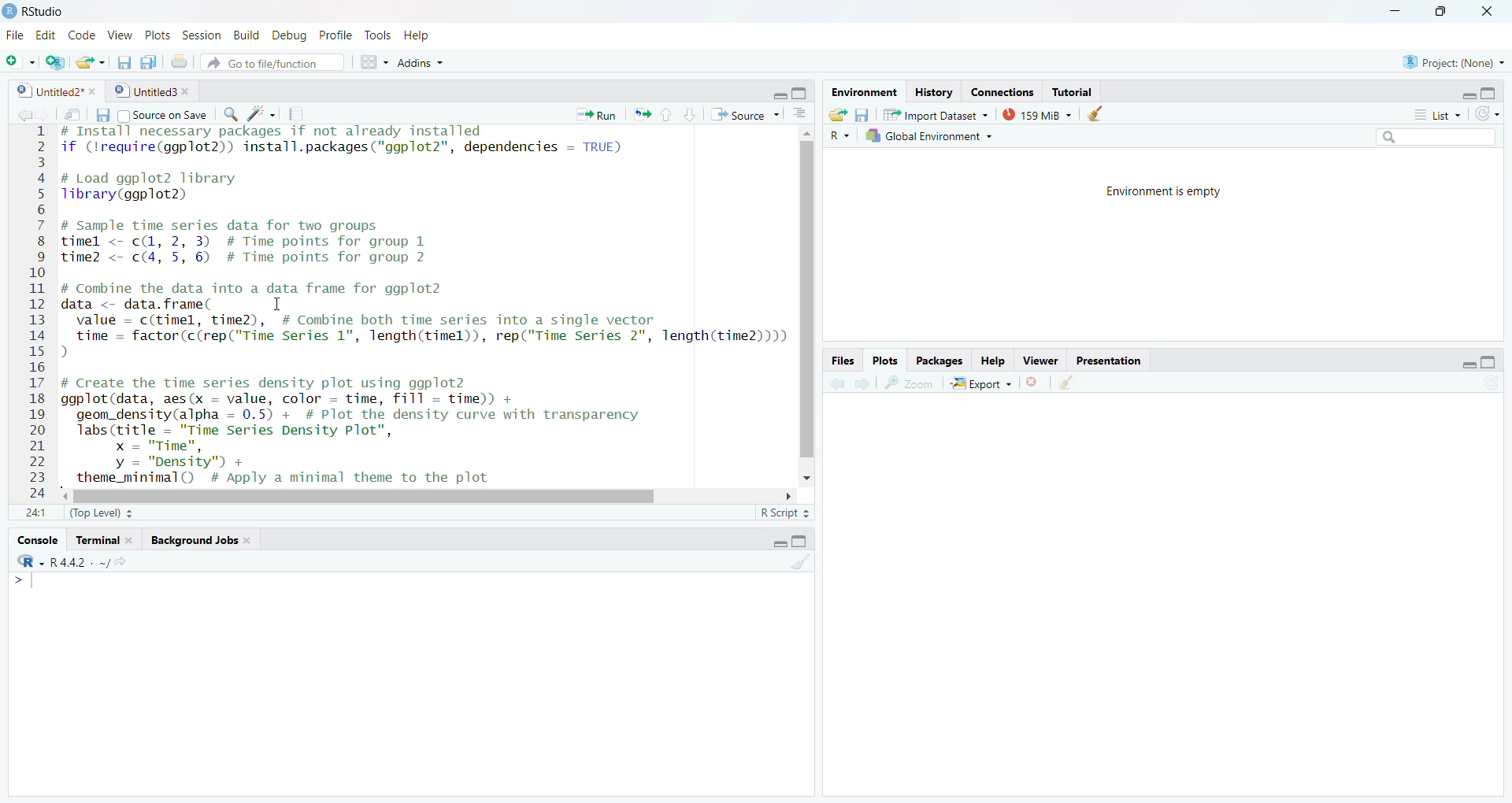  What do you see at coordinates (1437, 115) in the screenshot?
I see `List ` at bounding box center [1437, 115].